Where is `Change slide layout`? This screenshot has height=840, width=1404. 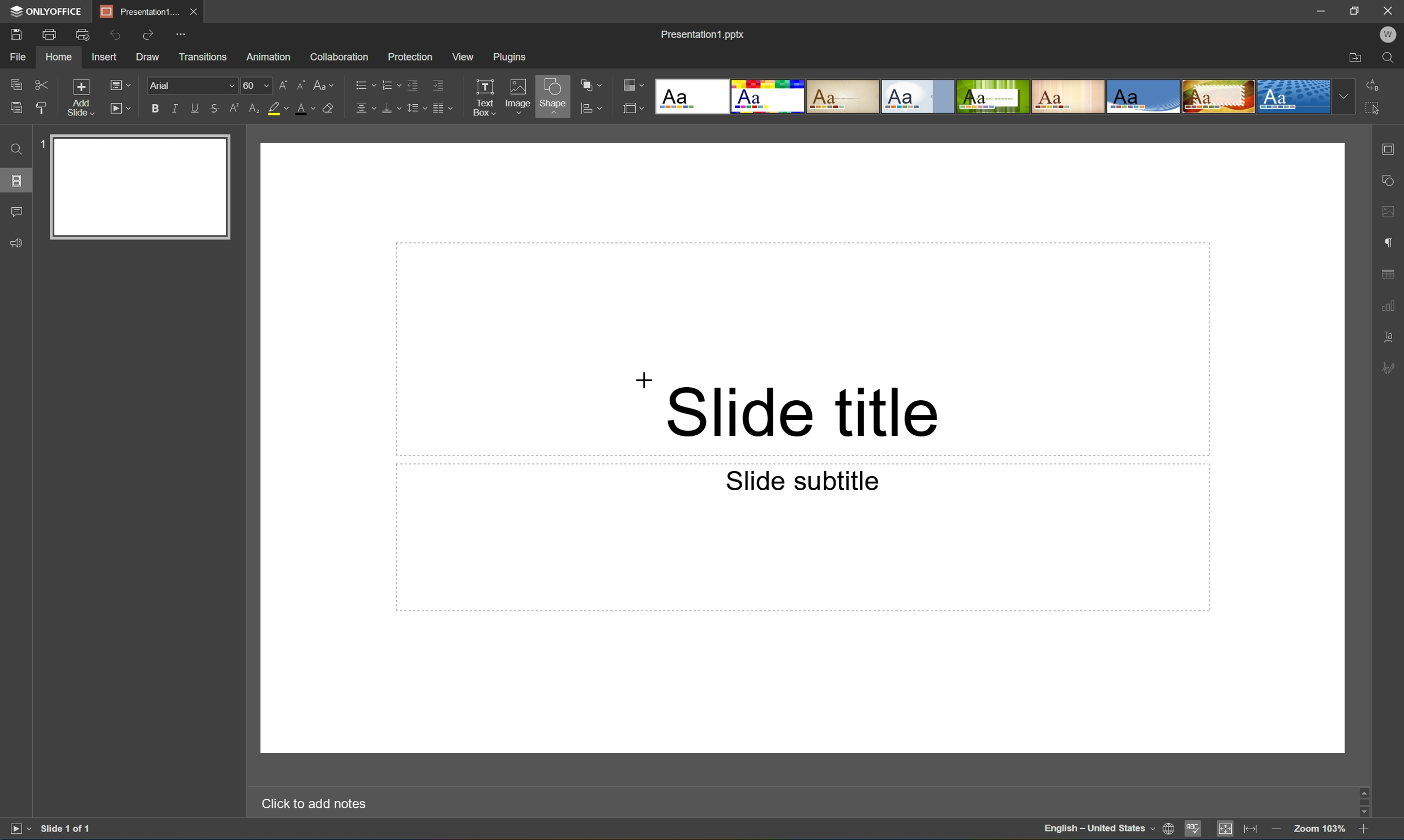
Change slide layout is located at coordinates (121, 84).